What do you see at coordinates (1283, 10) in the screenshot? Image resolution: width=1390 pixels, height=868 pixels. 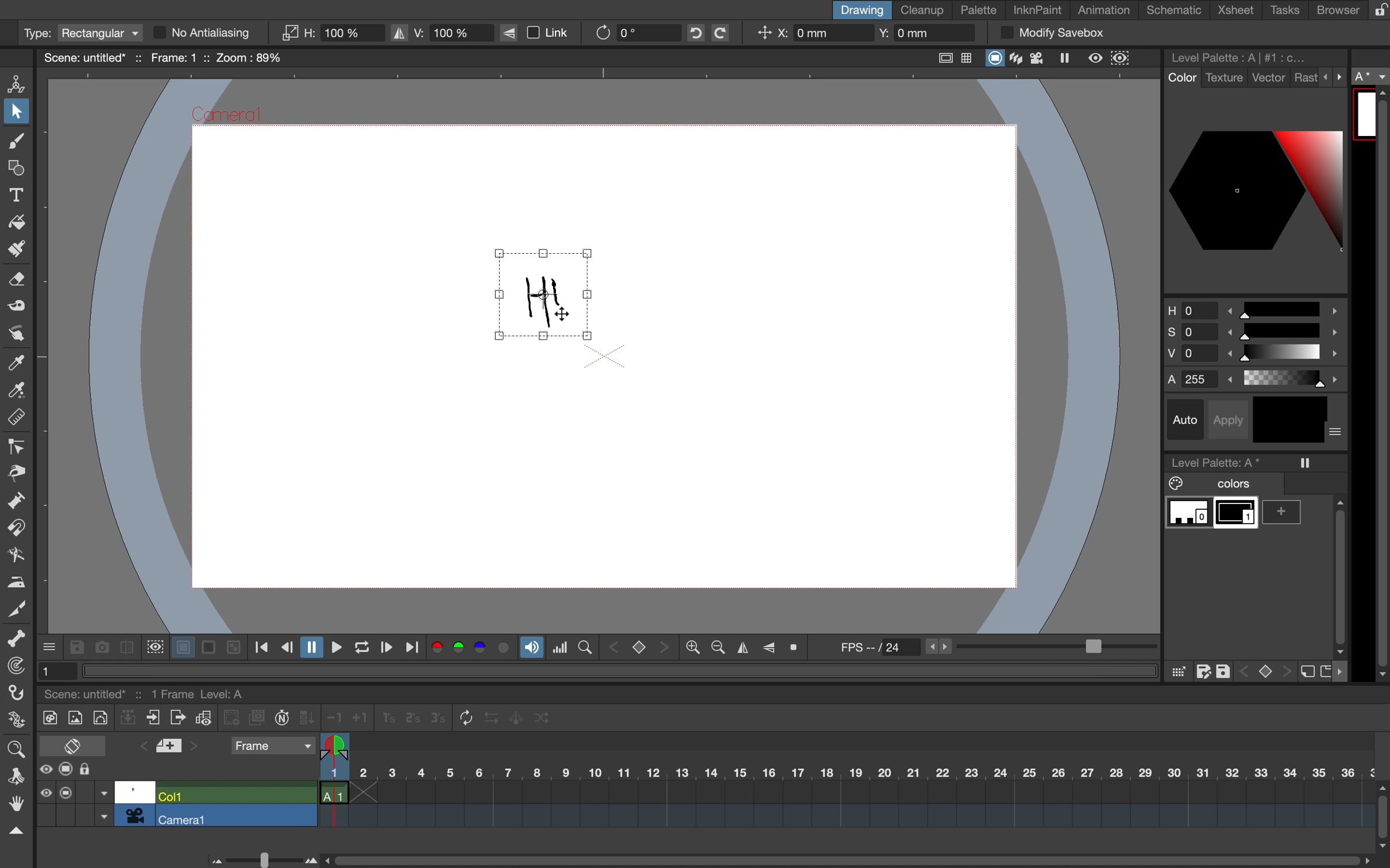 I see `tasks` at bounding box center [1283, 10].